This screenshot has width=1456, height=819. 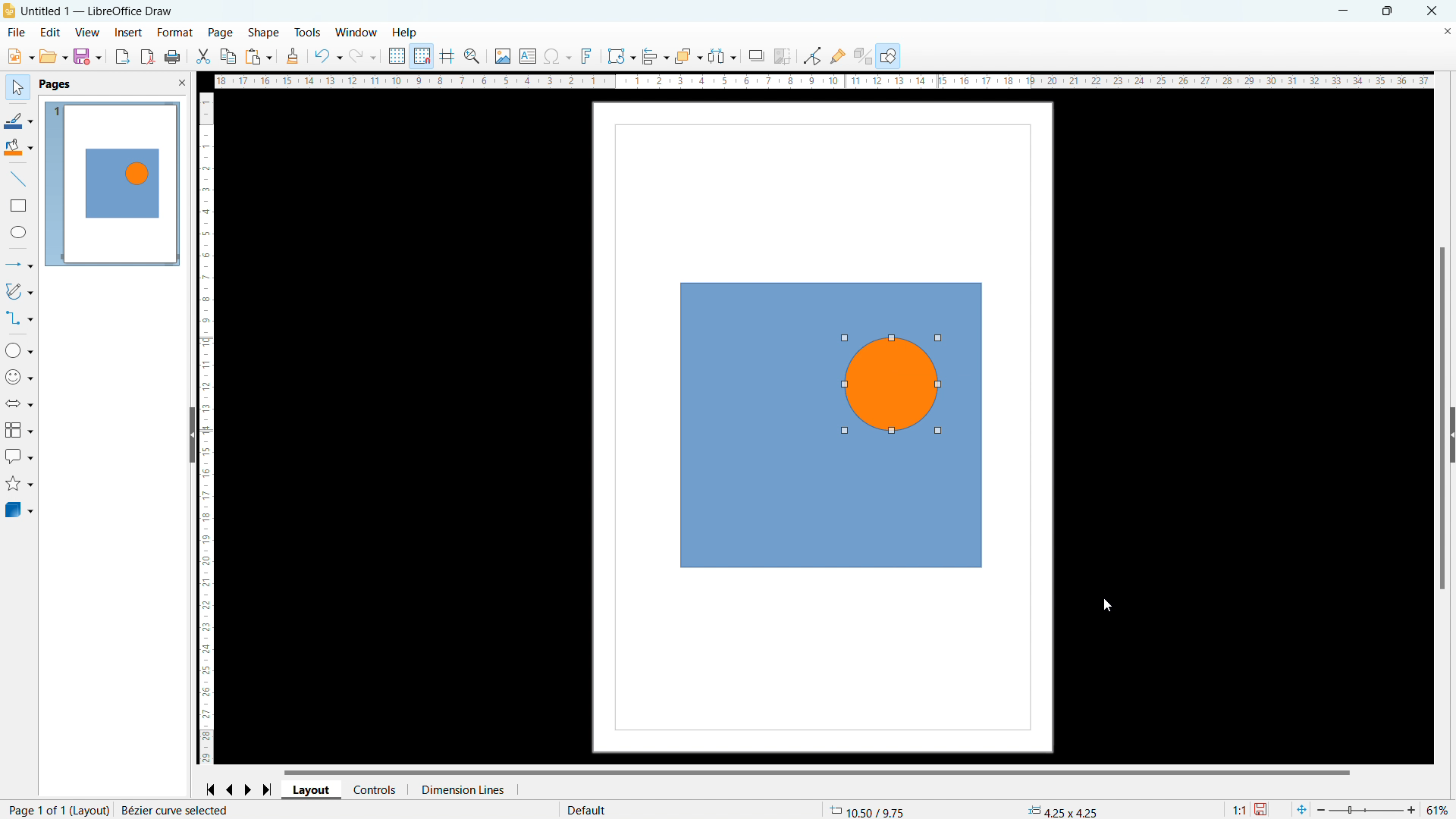 What do you see at coordinates (19, 265) in the screenshot?
I see `lines and arrows` at bounding box center [19, 265].